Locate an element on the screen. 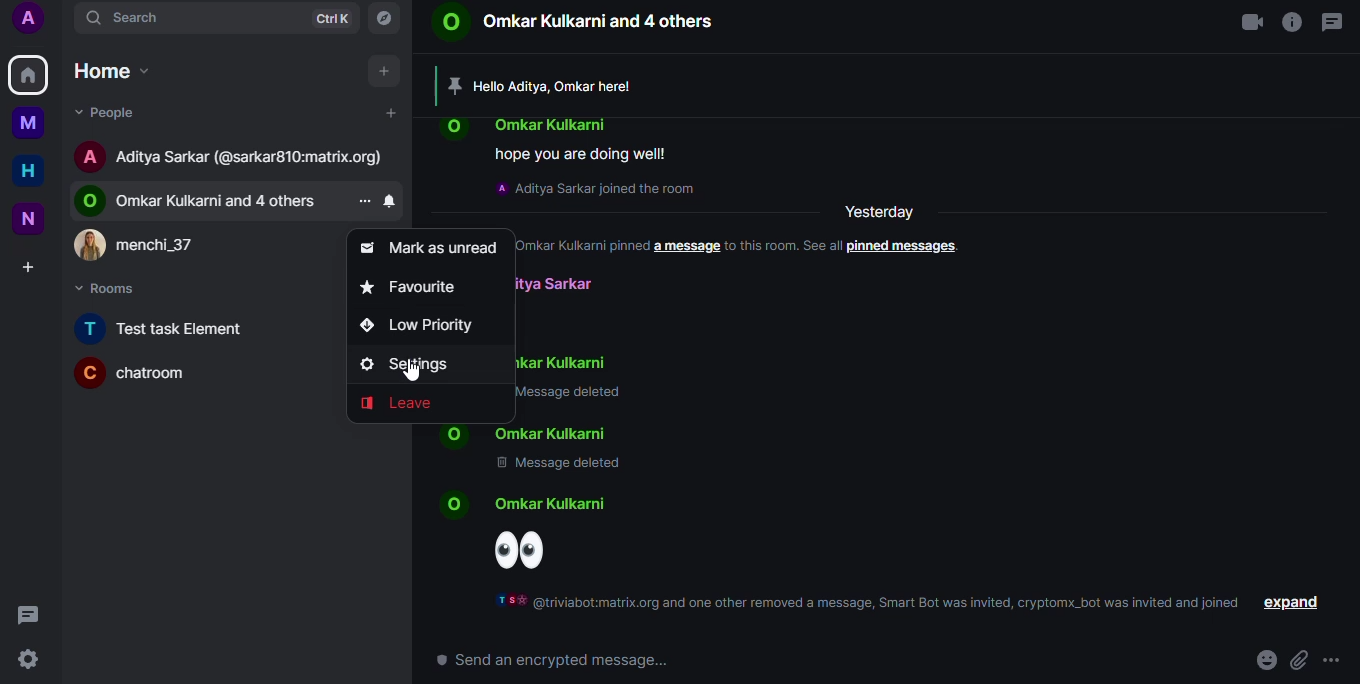 This screenshot has height=684, width=1360. h is located at coordinates (35, 172).